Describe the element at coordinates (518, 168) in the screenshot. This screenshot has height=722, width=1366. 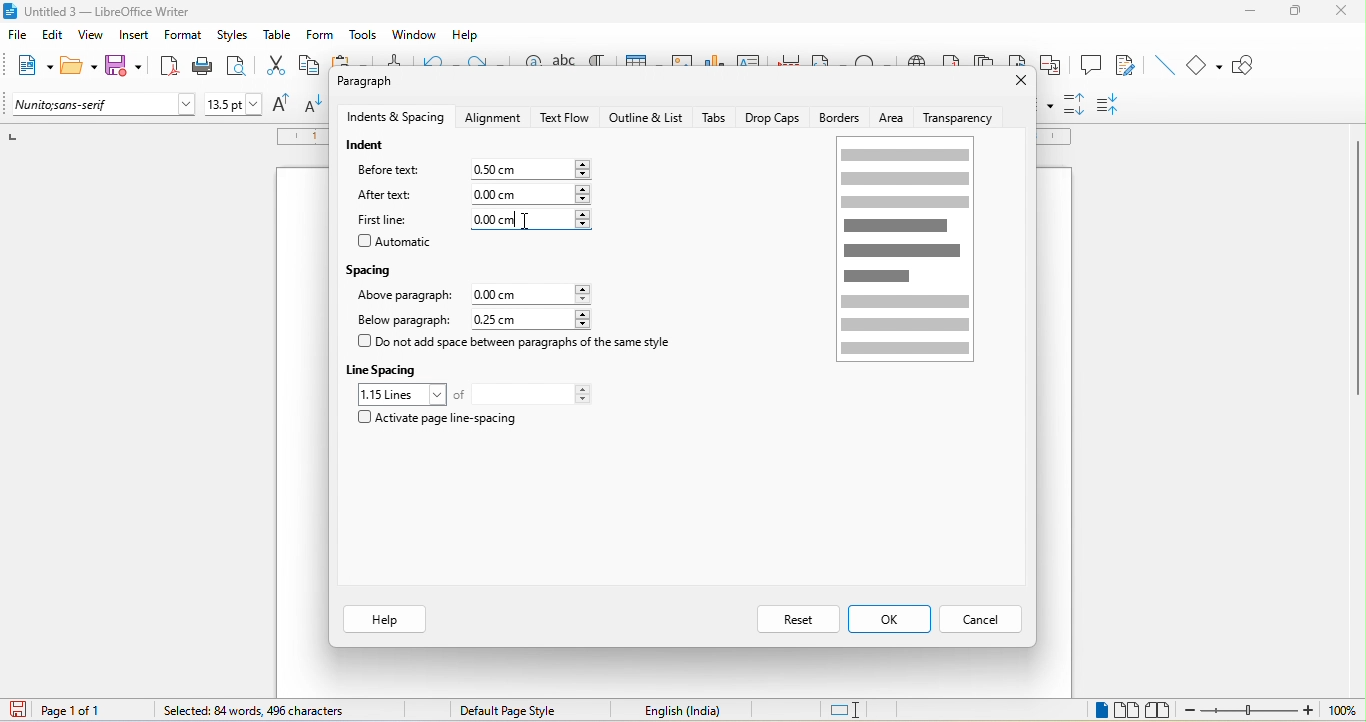
I see `0.00 cm` at that location.